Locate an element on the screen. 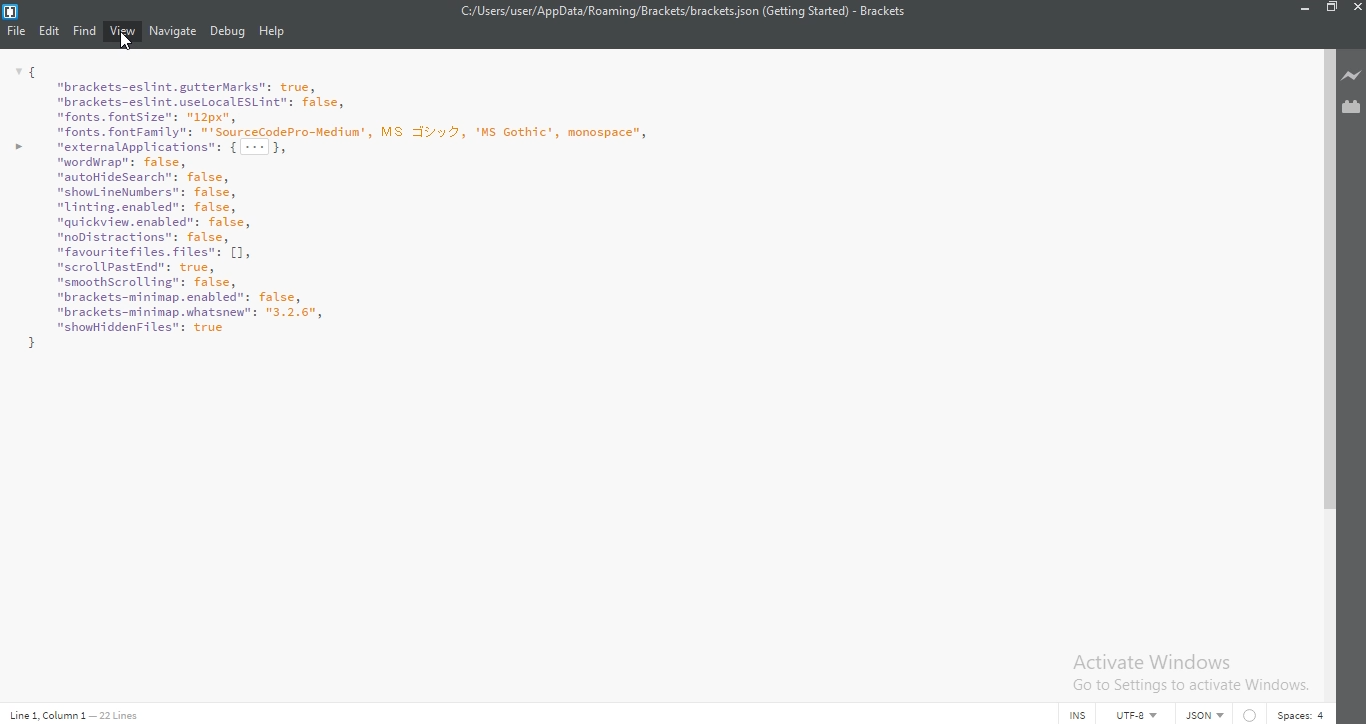 This screenshot has width=1366, height=724. Minimise is located at coordinates (1306, 9).